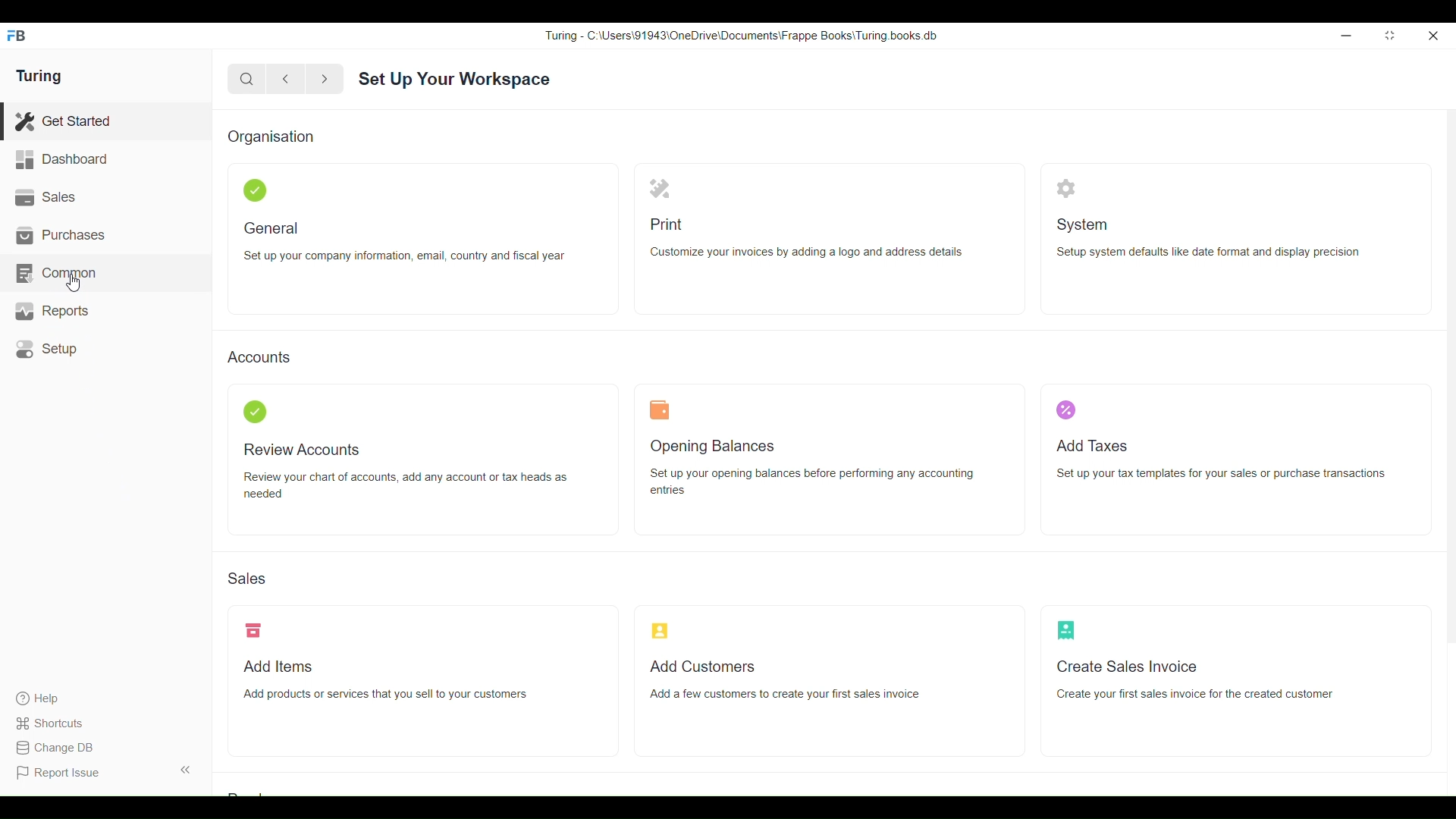 The width and height of the screenshot is (1456, 819). Describe the element at coordinates (455, 80) in the screenshot. I see `Set Up Your Workspace` at that location.